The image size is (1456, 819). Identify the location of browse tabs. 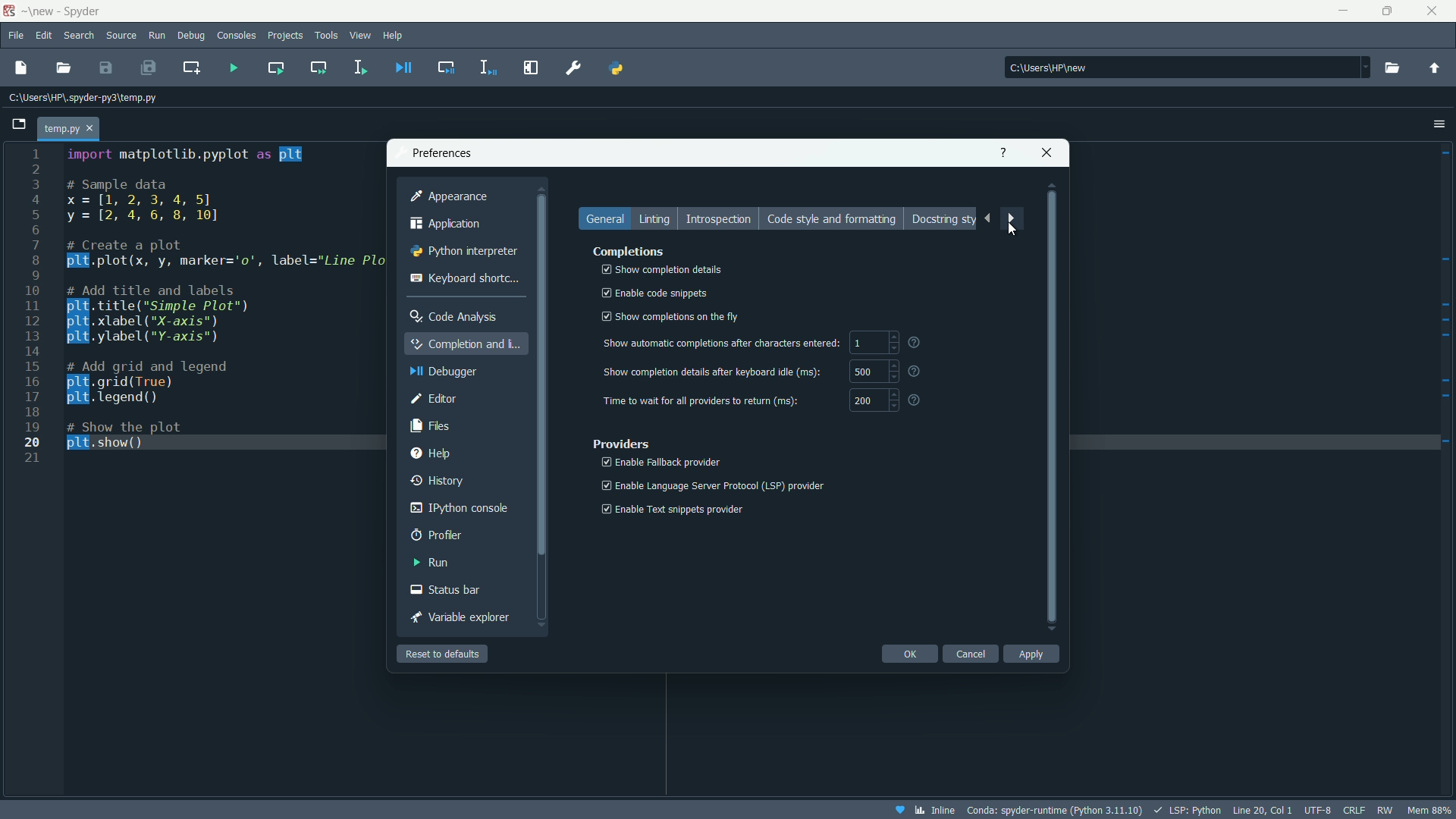
(20, 123).